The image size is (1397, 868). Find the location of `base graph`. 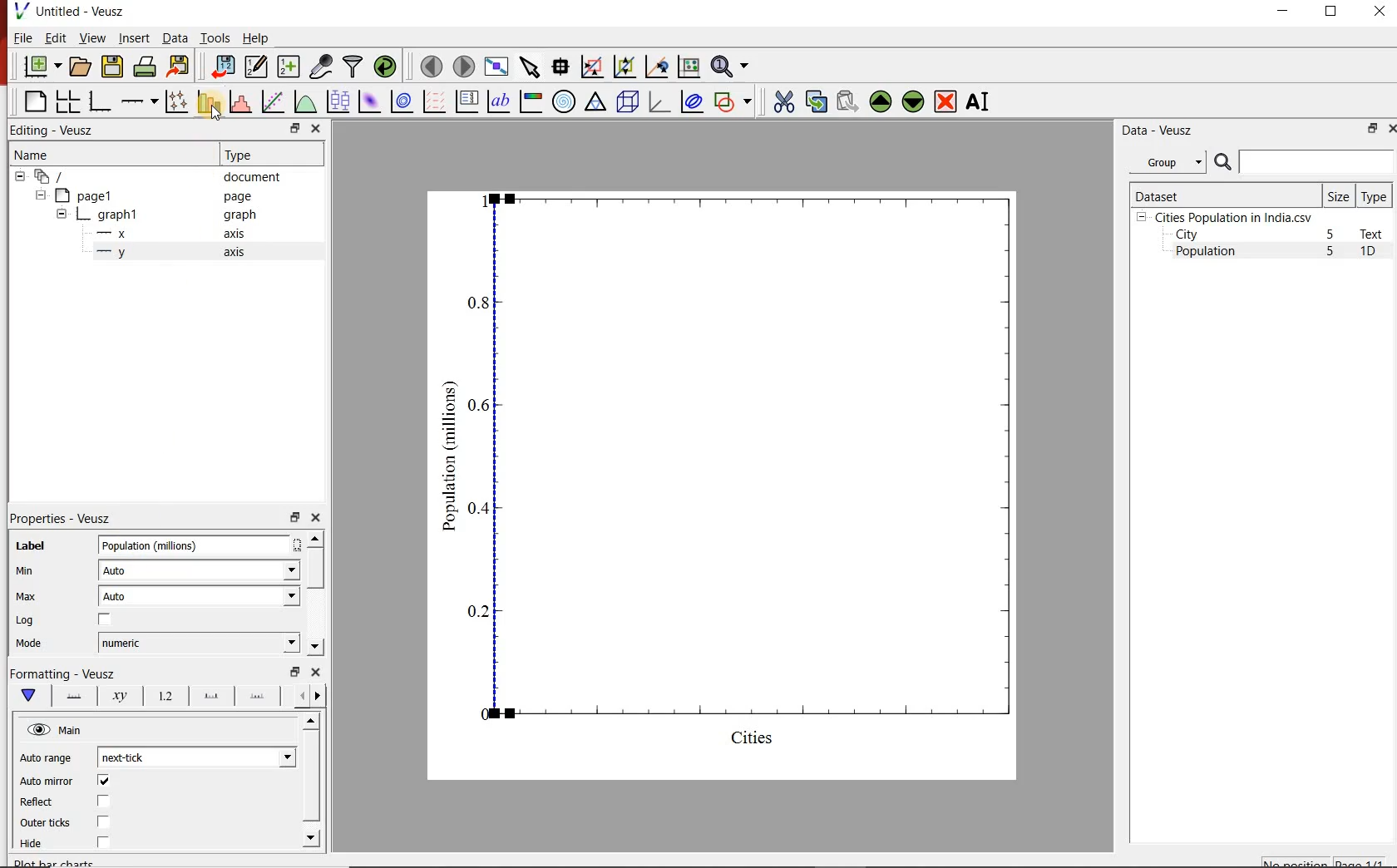

base graph is located at coordinates (98, 101).